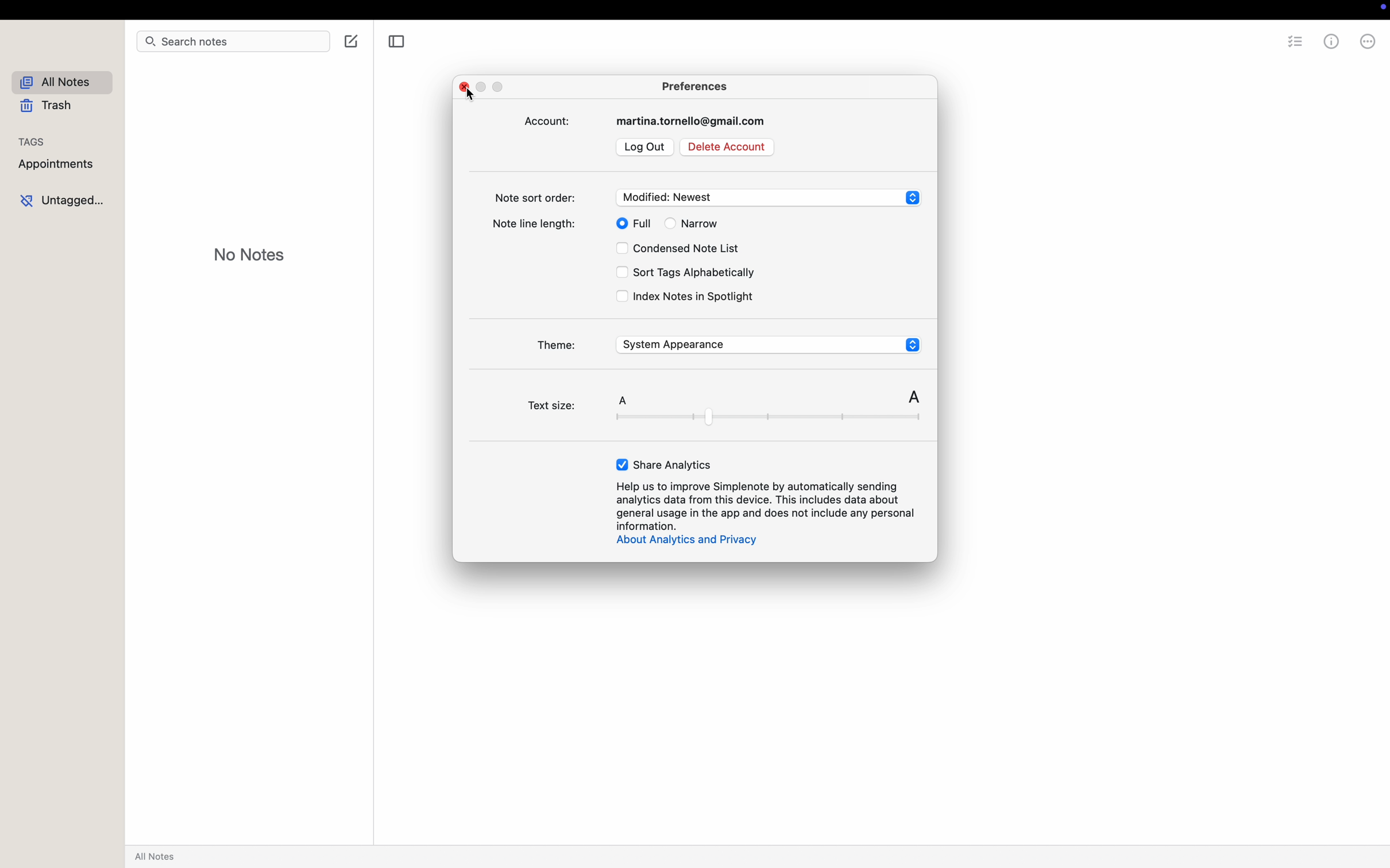 This screenshot has width=1390, height=868. What do you see at coordinates (702, 198) in the screenshot?
I see `note sort order` at bounding box center [702, 198].